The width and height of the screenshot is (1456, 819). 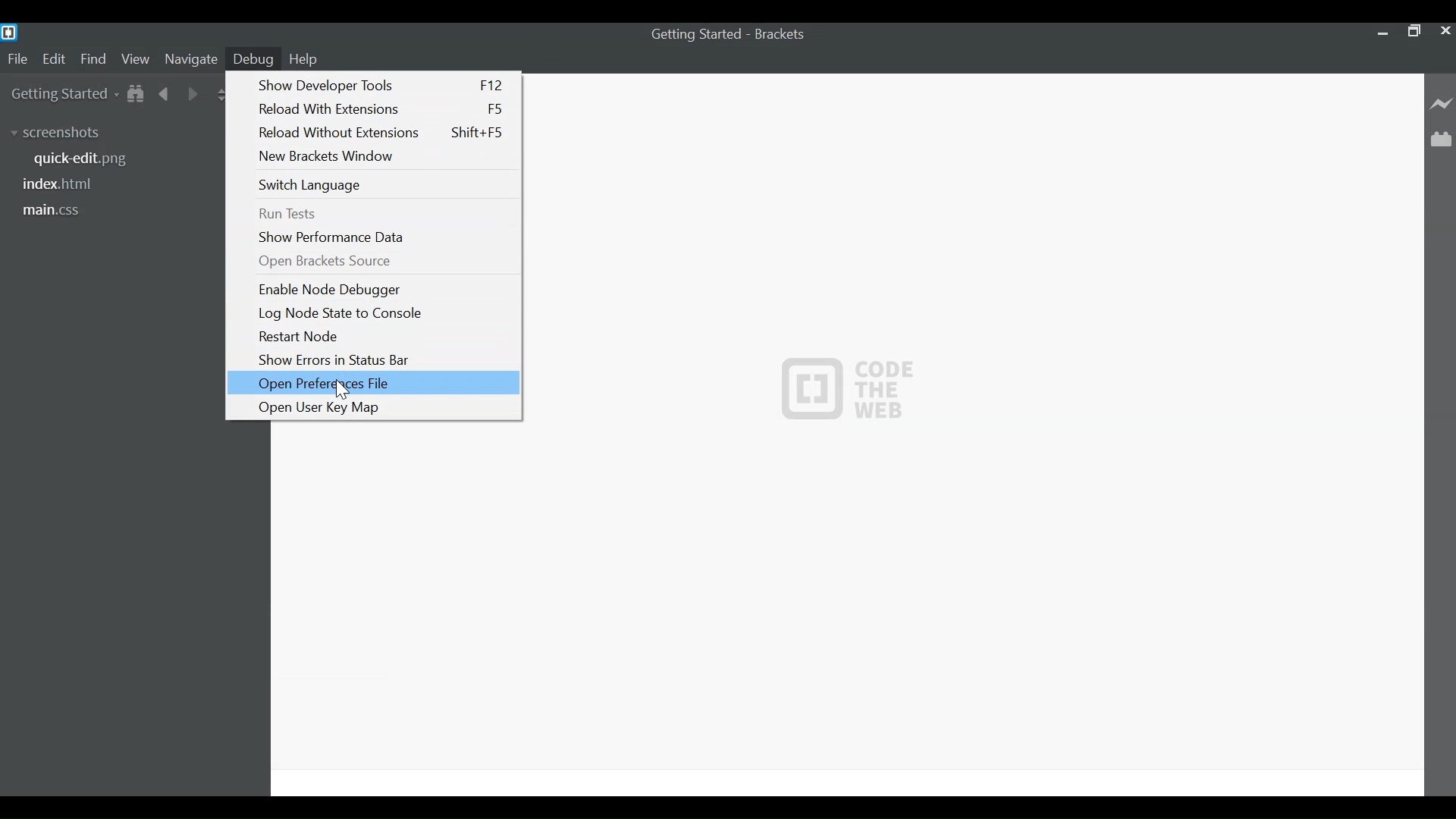 I want to click on Cursor, so click(x=347, y=391).